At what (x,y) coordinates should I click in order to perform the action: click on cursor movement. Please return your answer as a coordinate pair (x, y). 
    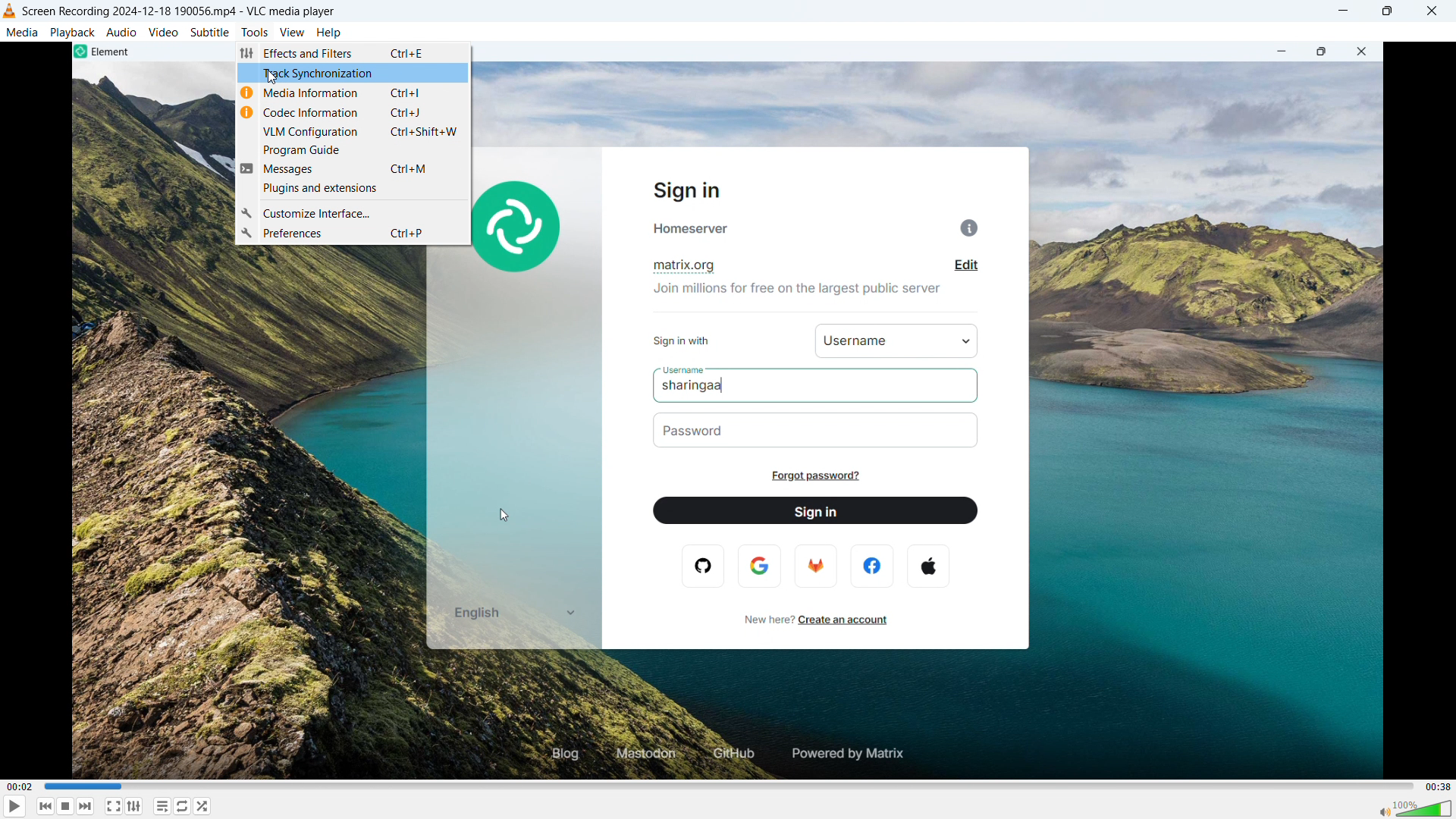
    Looking at the image, I should click on (272, 78).